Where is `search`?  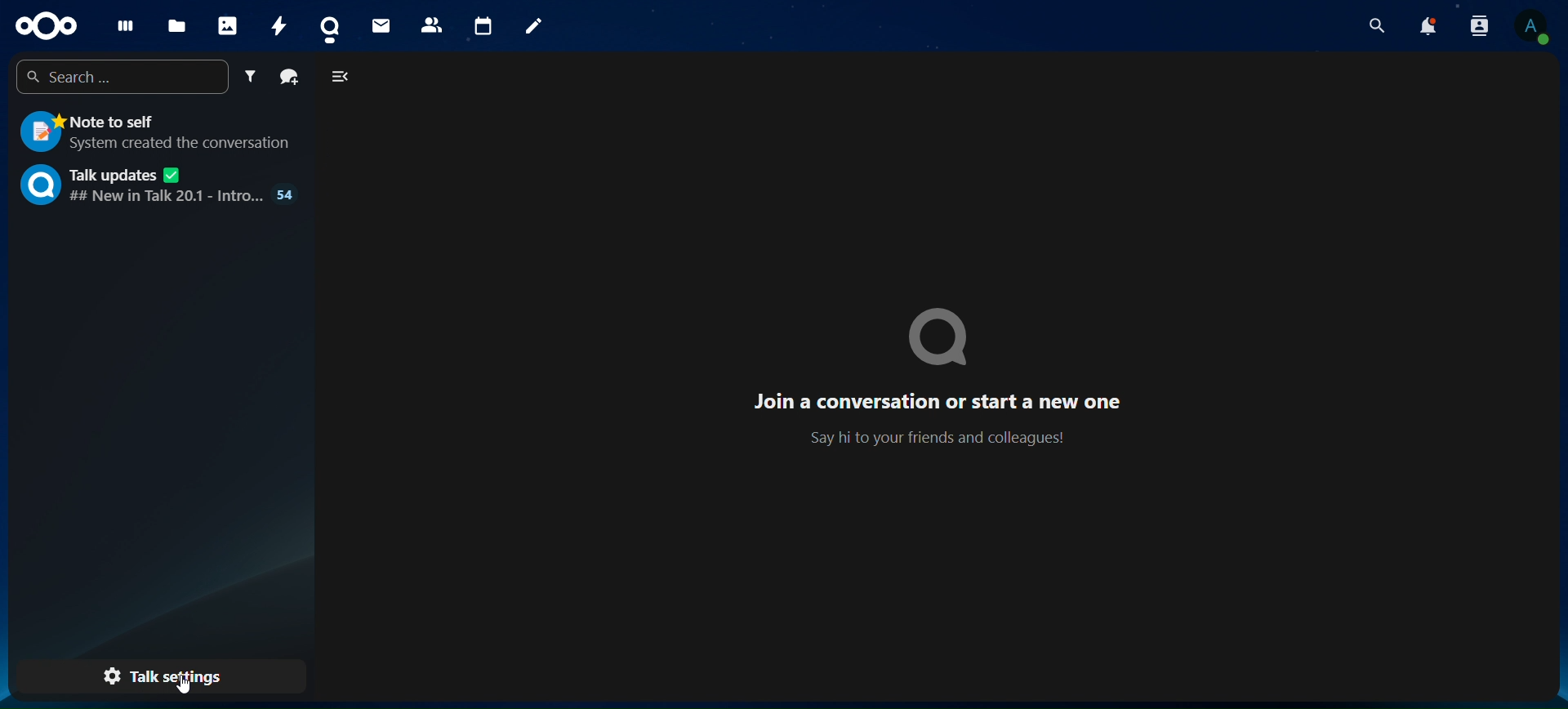 search is located at coordinates (123, 75).